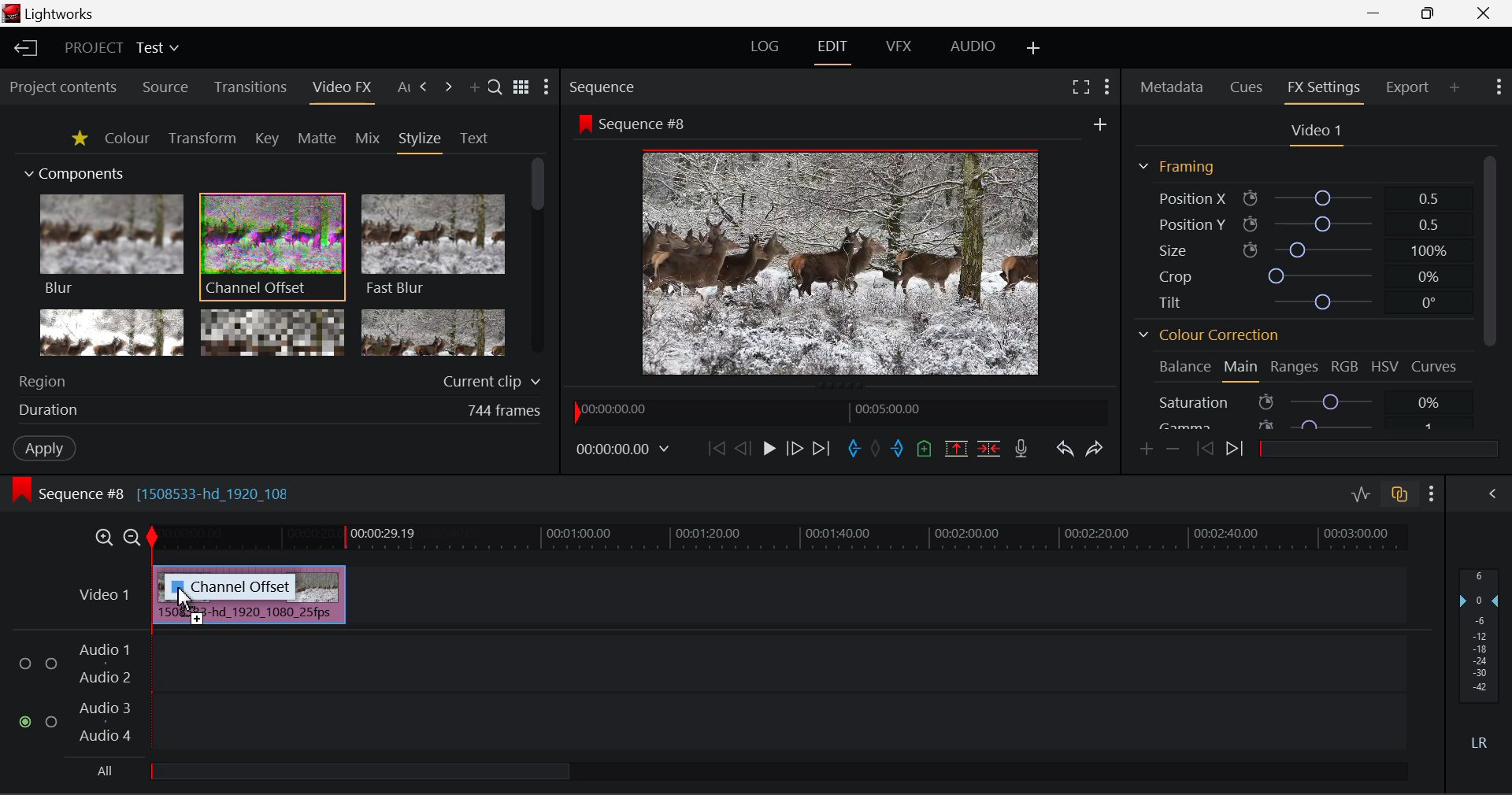  What do you see at coordinates (272, 331) in the screenshot?
I see `Mosaic` at bounding box center [272, 331].